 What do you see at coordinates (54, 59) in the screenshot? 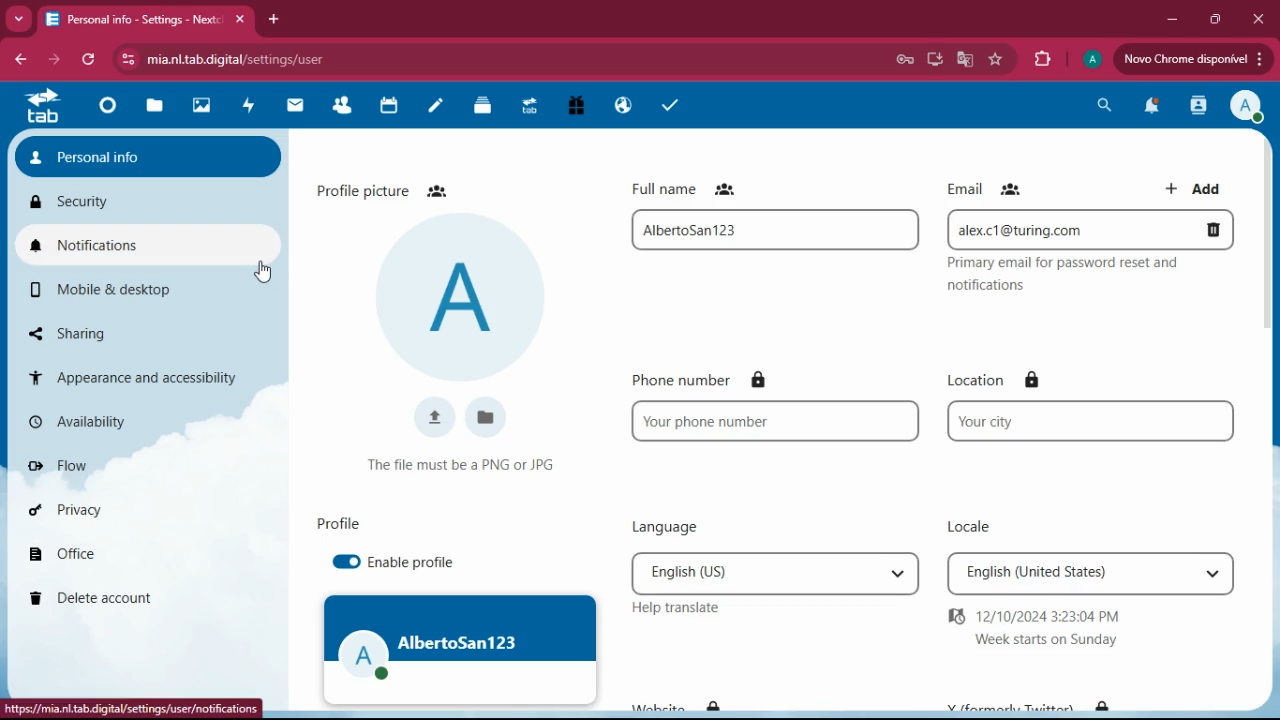
I see `forward` at bounding box center [54, 59].